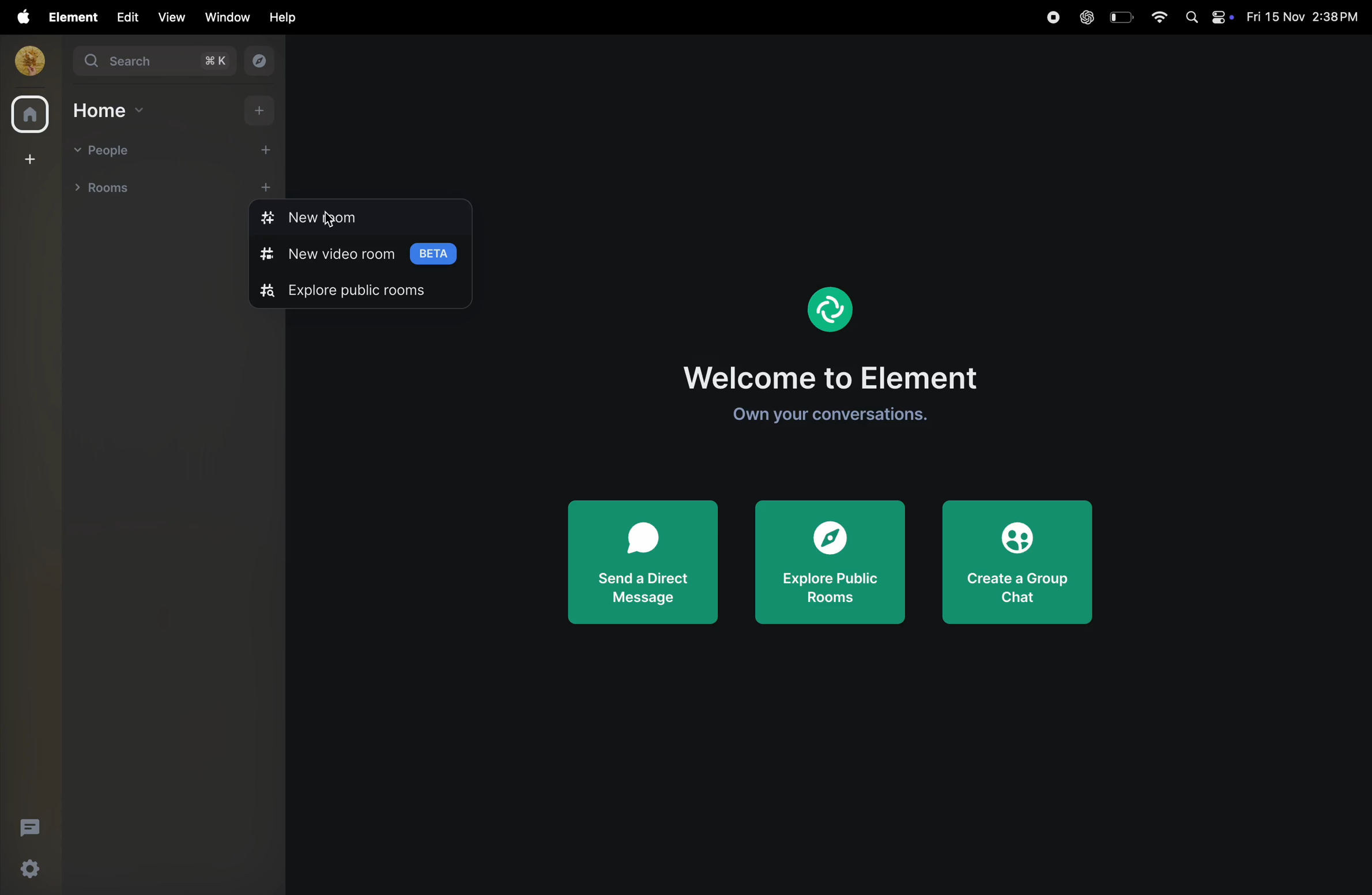 The width and height of the screenshot is (1372, 895). I want to click on send direct meassage, so click(643, 564).